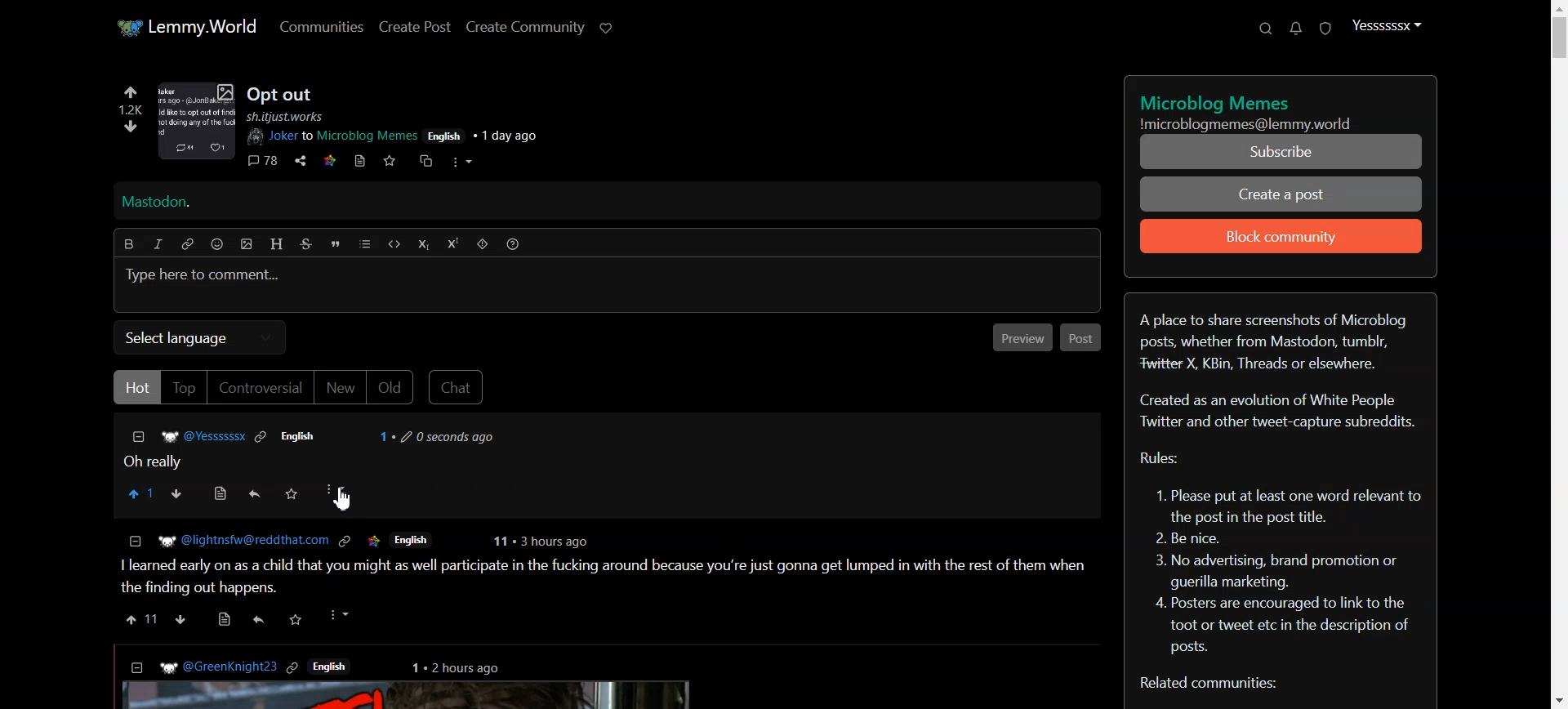 Image resolution: width=1568 pixels, height=709 pixels. I want to click on Home page, so click(186, 25).